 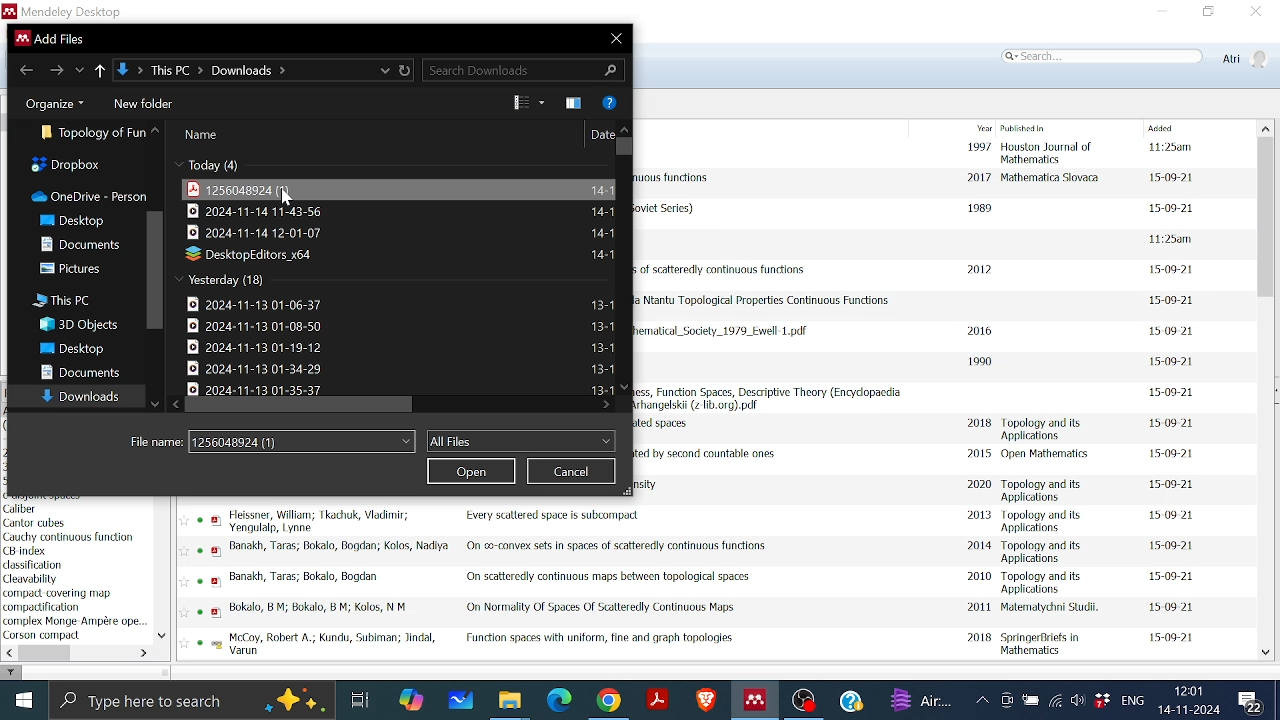 What do you see at coordinates (597, 638) in the screenshot?
I see `Title` at bounding box center [597, 638].